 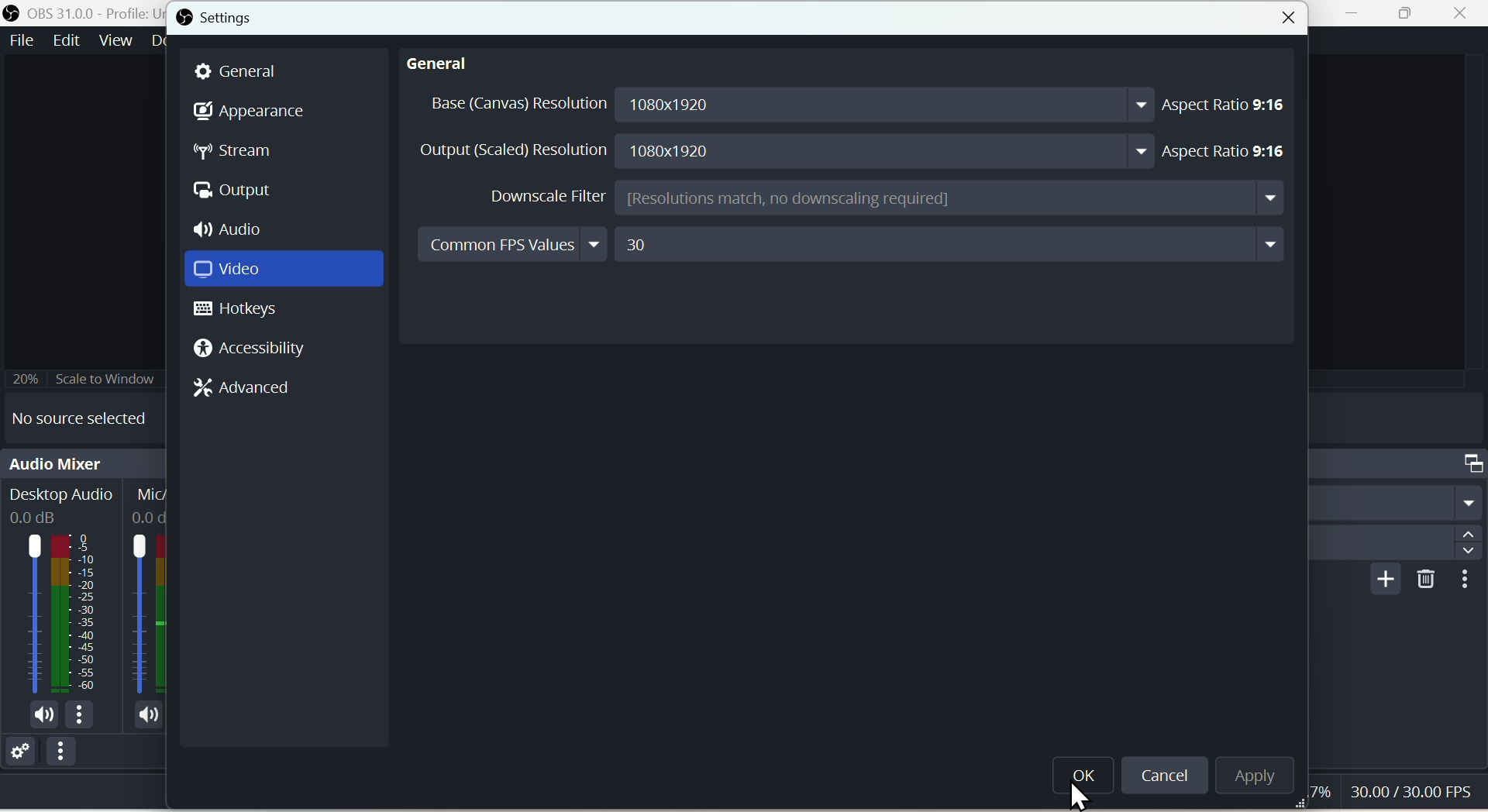 I want to click on general, so click(x=444, y=67).